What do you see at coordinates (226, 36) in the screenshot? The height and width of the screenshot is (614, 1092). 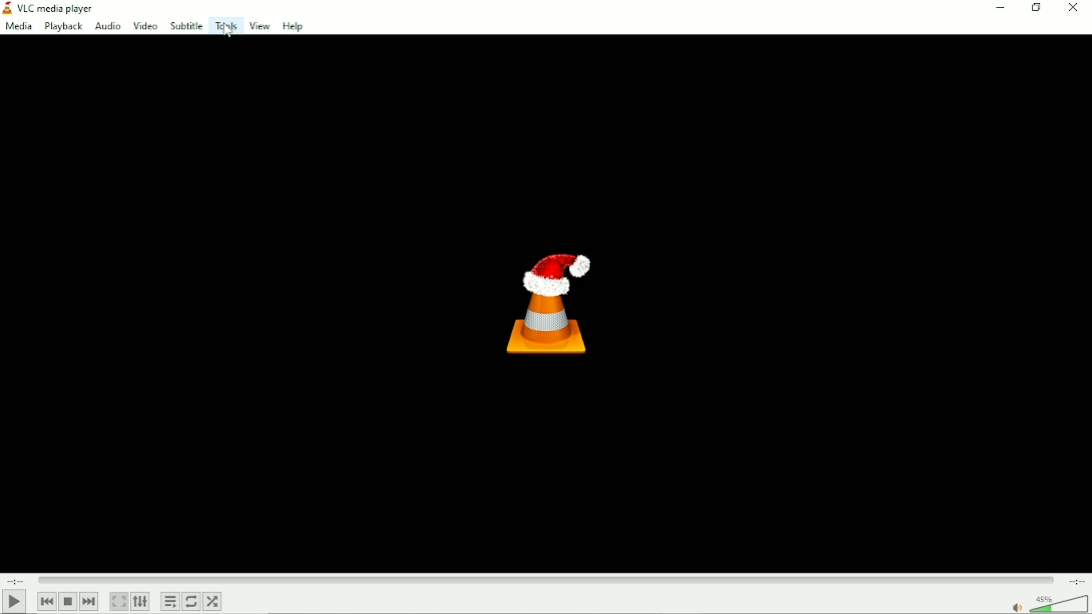 I see `Cursor` at bounding box center [226, 36].